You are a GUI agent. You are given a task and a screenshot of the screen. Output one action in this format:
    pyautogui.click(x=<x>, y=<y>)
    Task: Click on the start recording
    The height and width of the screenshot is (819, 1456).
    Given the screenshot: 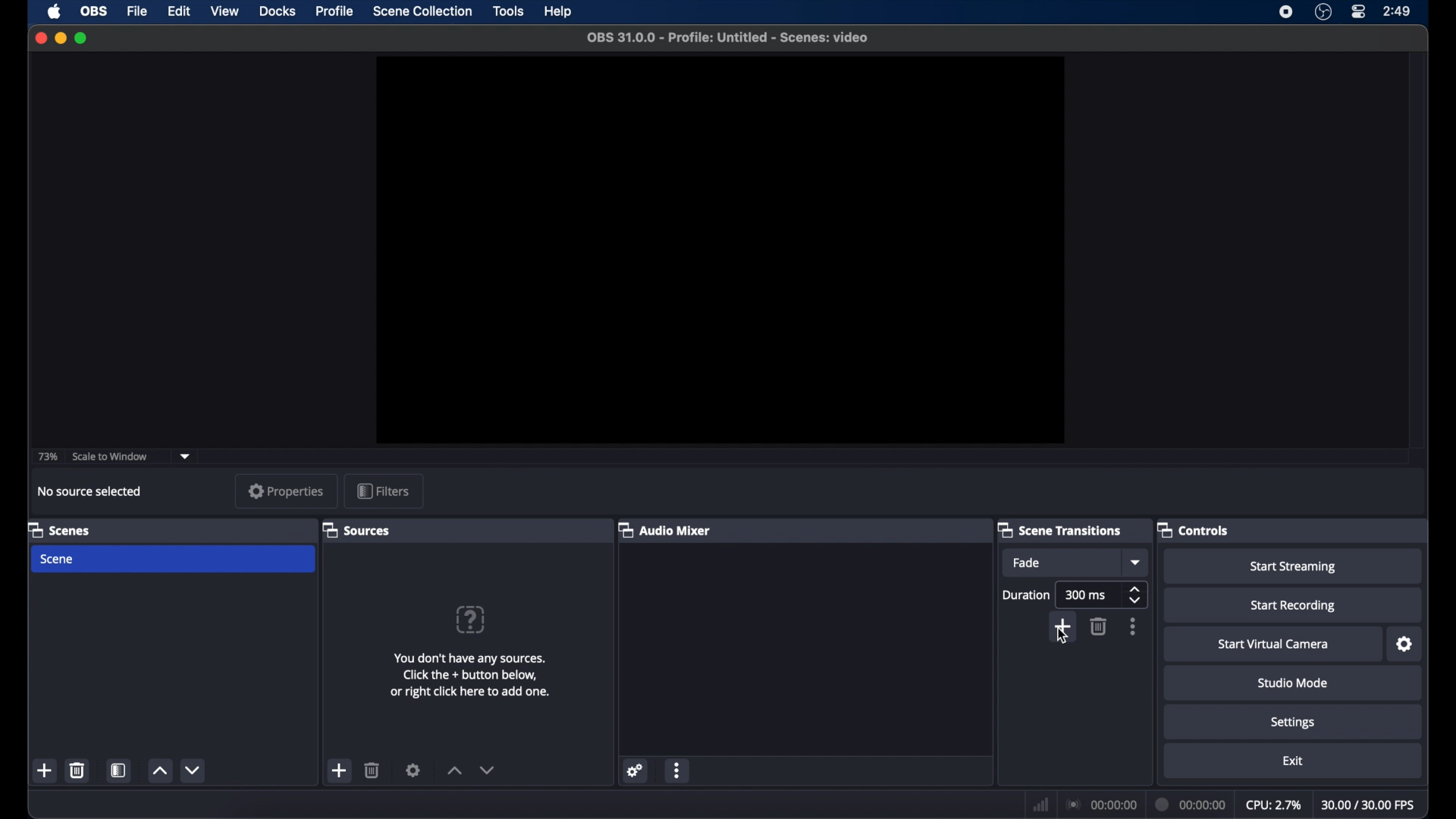 What is the action you would take?
    pyautogui.click(x=1293, y=606)
    